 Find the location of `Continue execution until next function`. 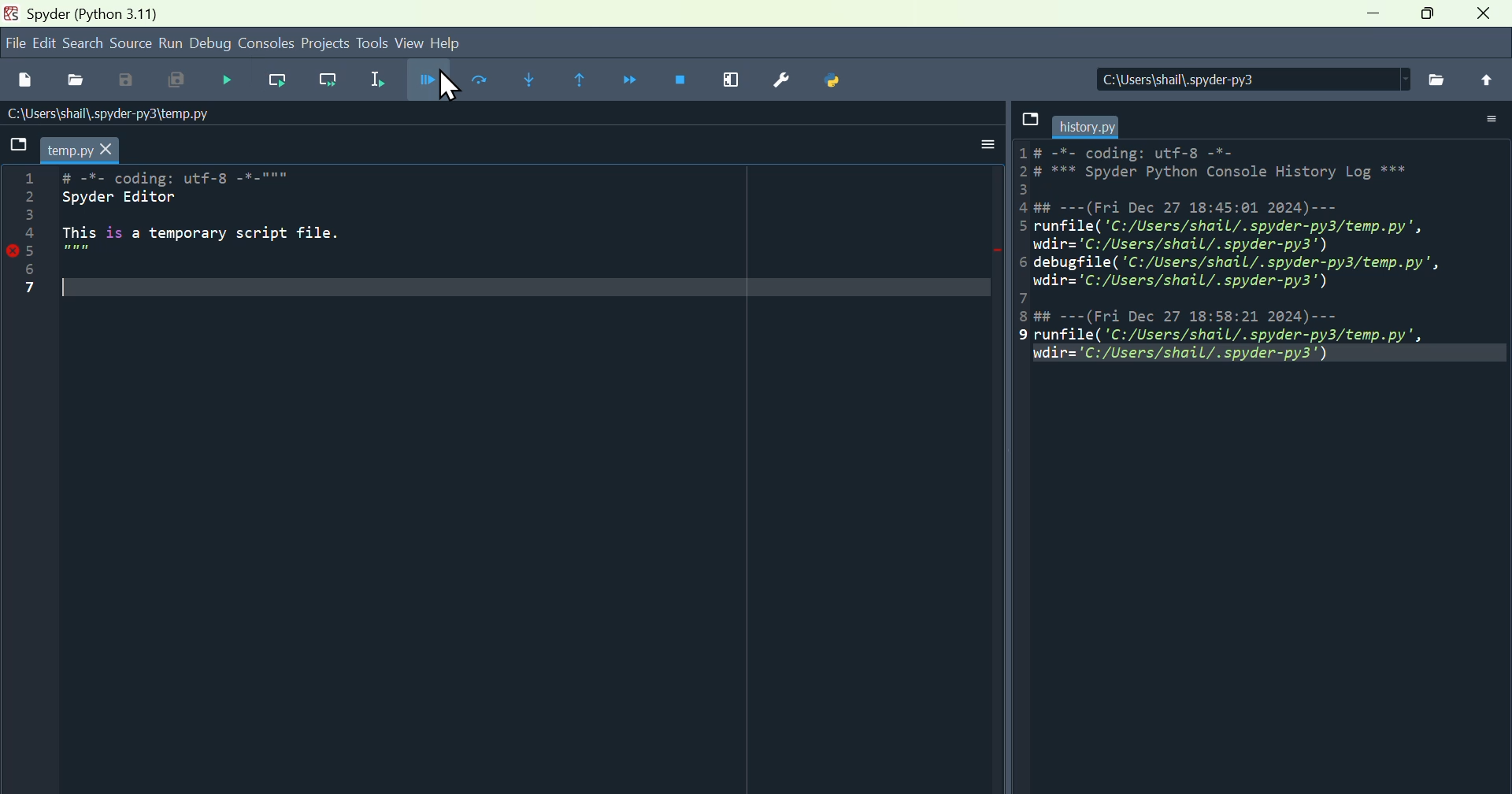

Continue execution until next function is located at coordinates (637, 81).